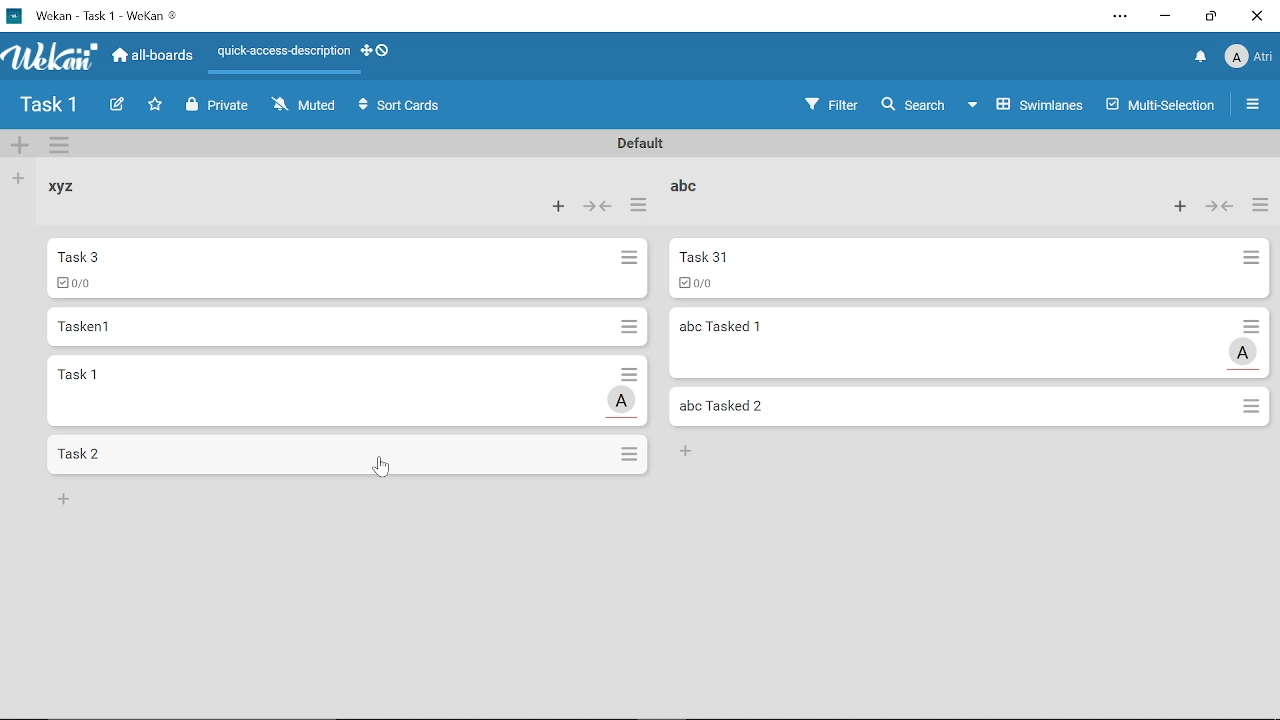 Image resolution: width=1280 pixels, height=720 pixels. I want to click on Settings and other options, so click(1122, 18).